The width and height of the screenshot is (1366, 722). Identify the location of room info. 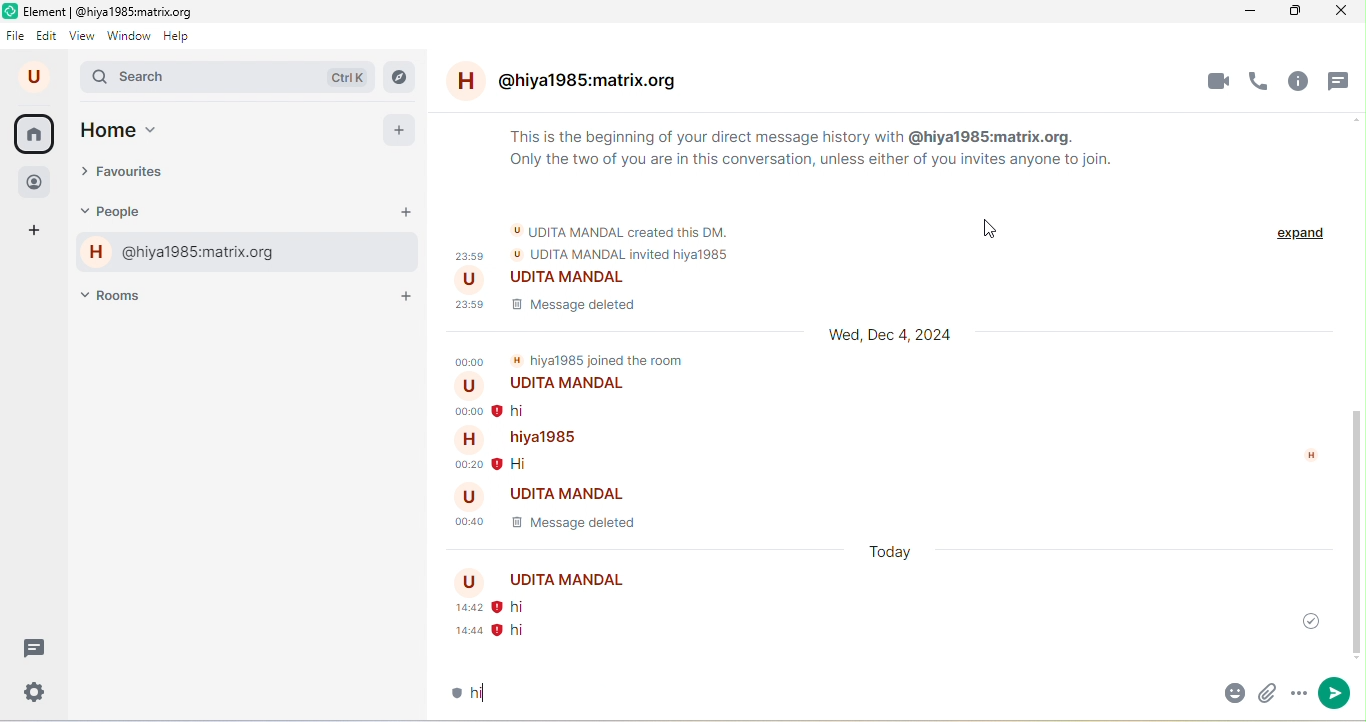
(1302, 81).